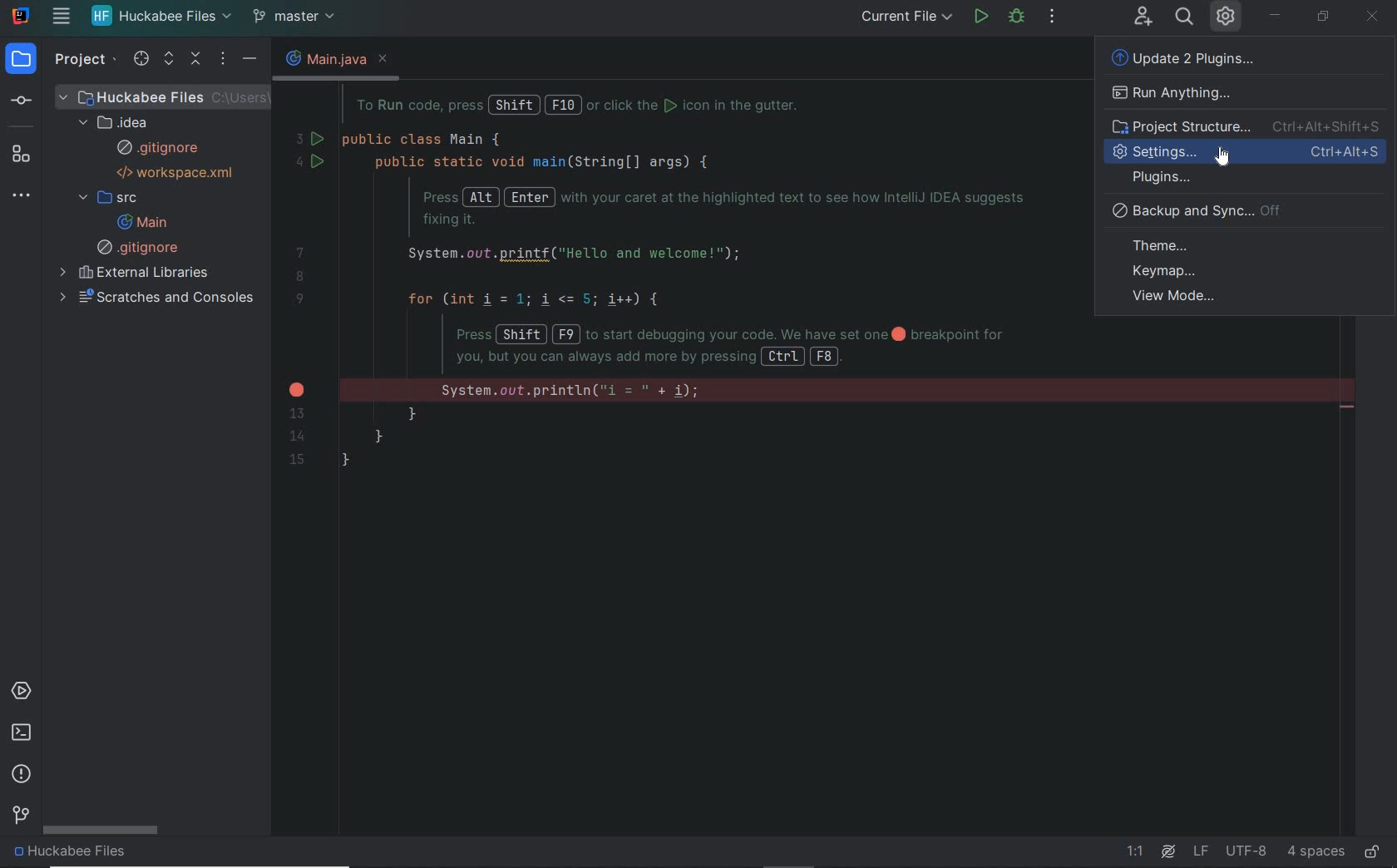 The width and height of the screenshot is (1397, 868). Describe the element at coordinates (1350, 154) in the screenshot. I see `Ctri+Alt+S` at that location.